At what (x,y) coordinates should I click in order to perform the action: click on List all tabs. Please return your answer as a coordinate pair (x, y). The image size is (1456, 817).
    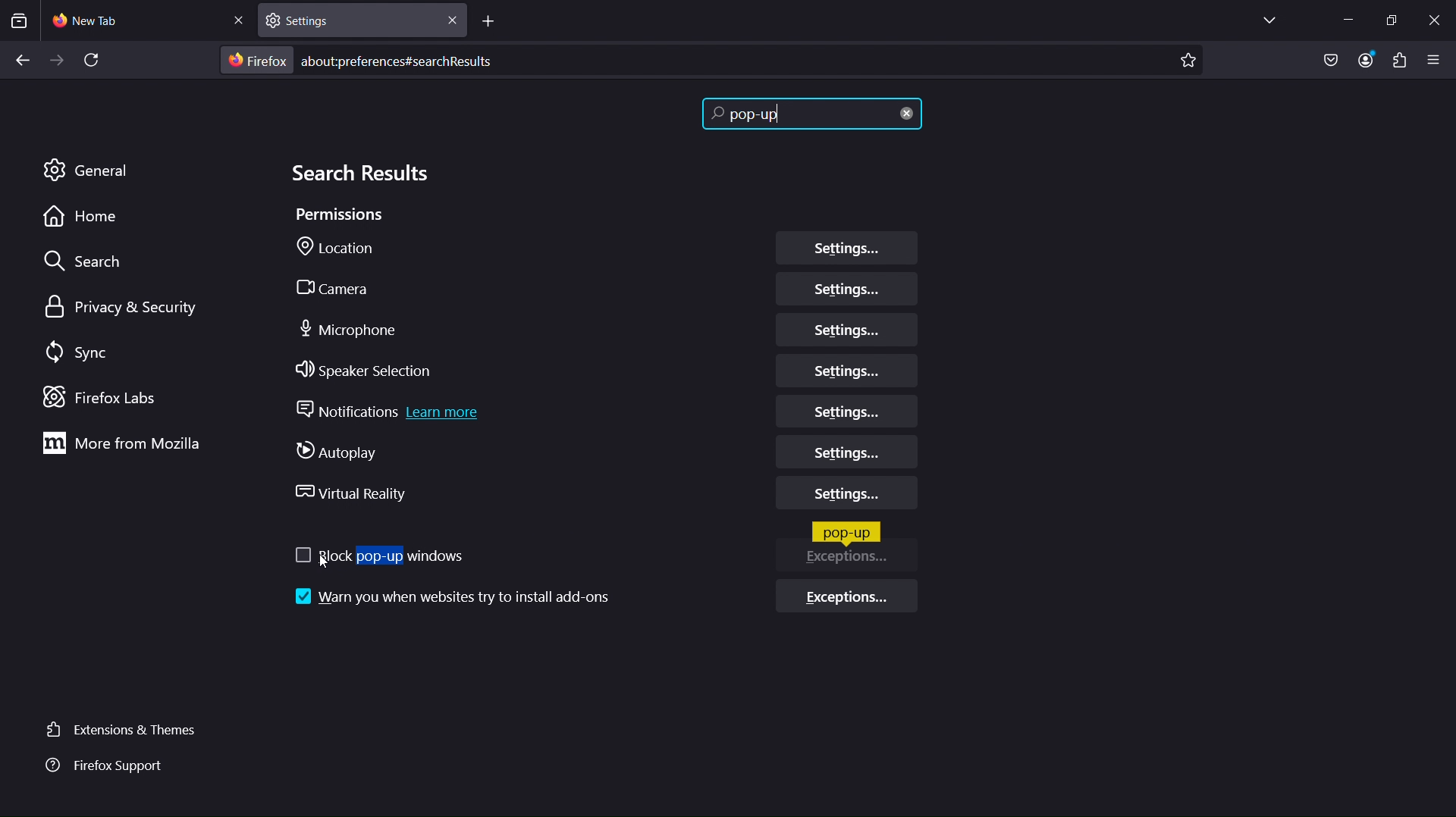
    Looking at the image, I should click on (1264, 20).